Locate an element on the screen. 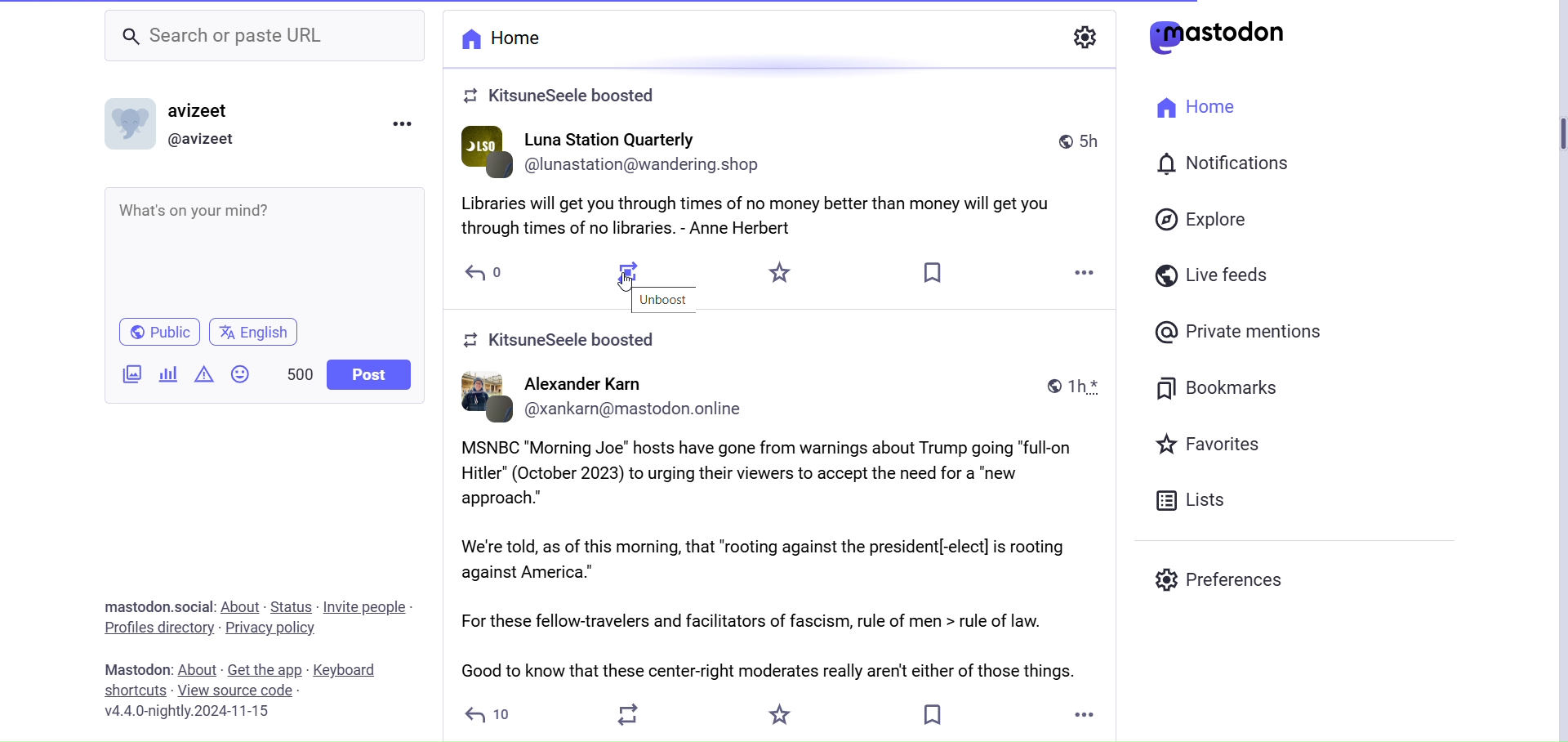 Image resolution: width=1568 pixels, height=742 pixels. Star is located at coordinates (777, 275).